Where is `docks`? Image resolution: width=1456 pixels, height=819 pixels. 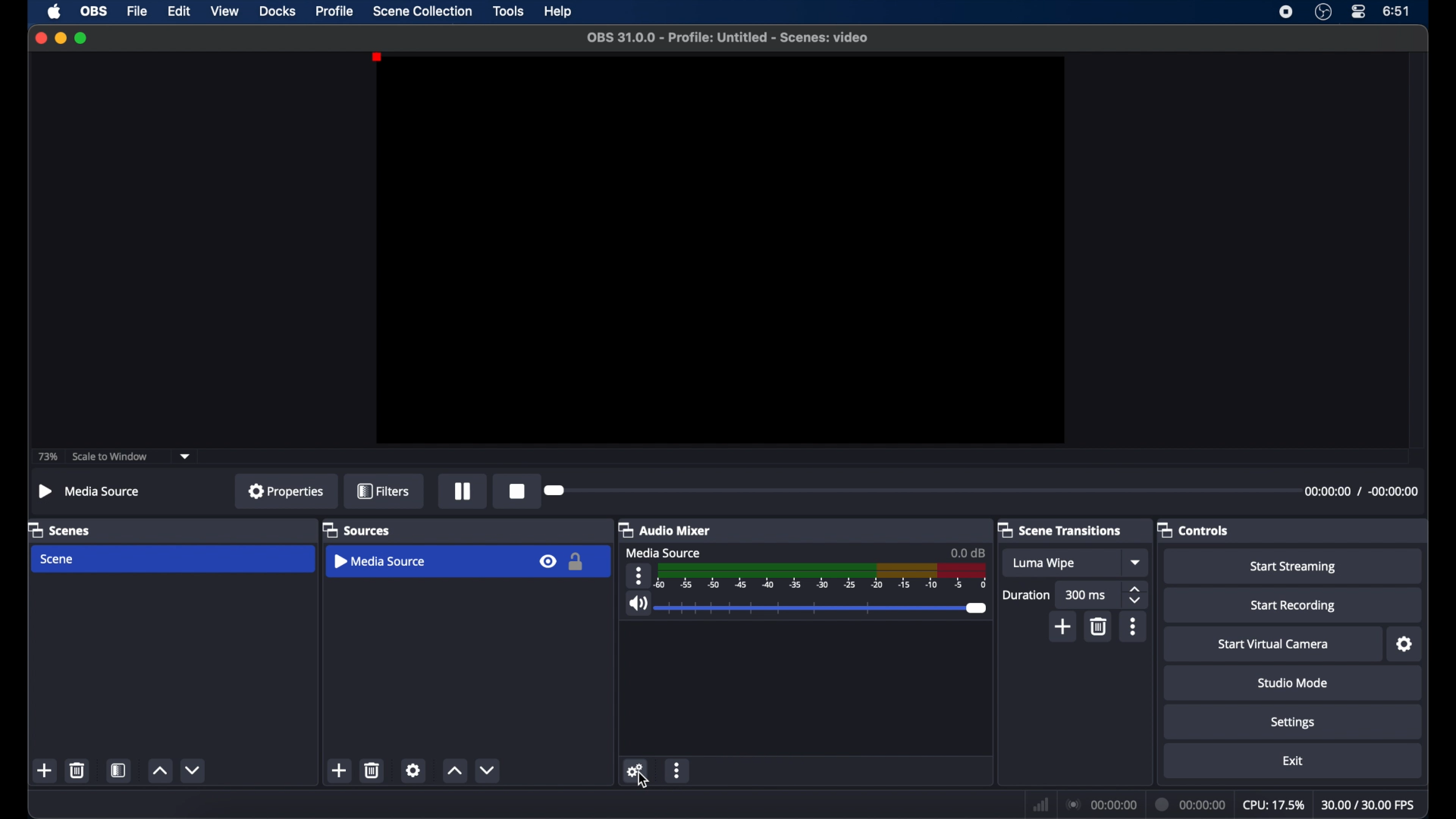 docks is located at coordinates (278, 11).